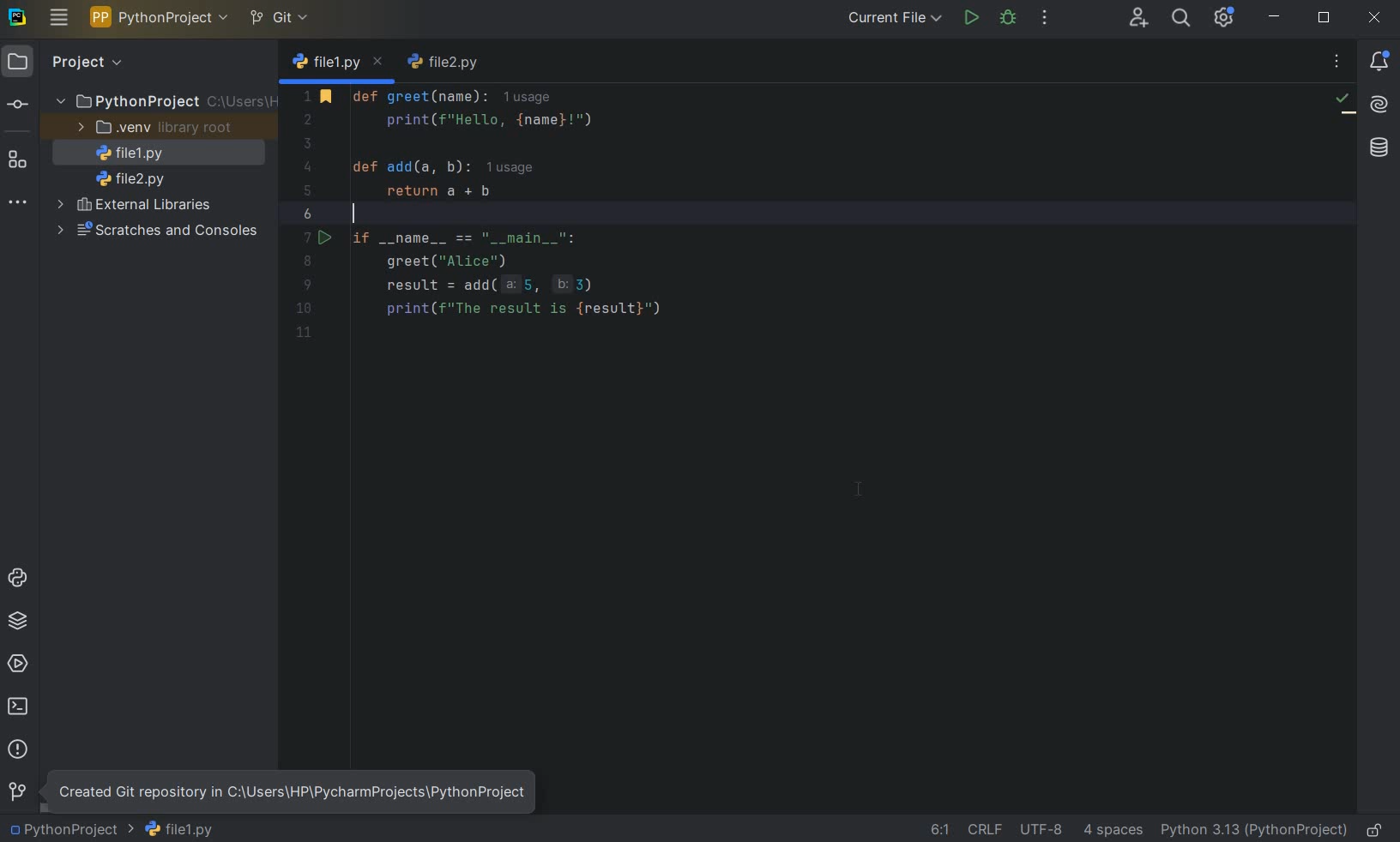 The width and height of the screenshot is (1400, 842). Describe the element at coordinates (890, 20) in the screenshot. I see `current file` at that location.